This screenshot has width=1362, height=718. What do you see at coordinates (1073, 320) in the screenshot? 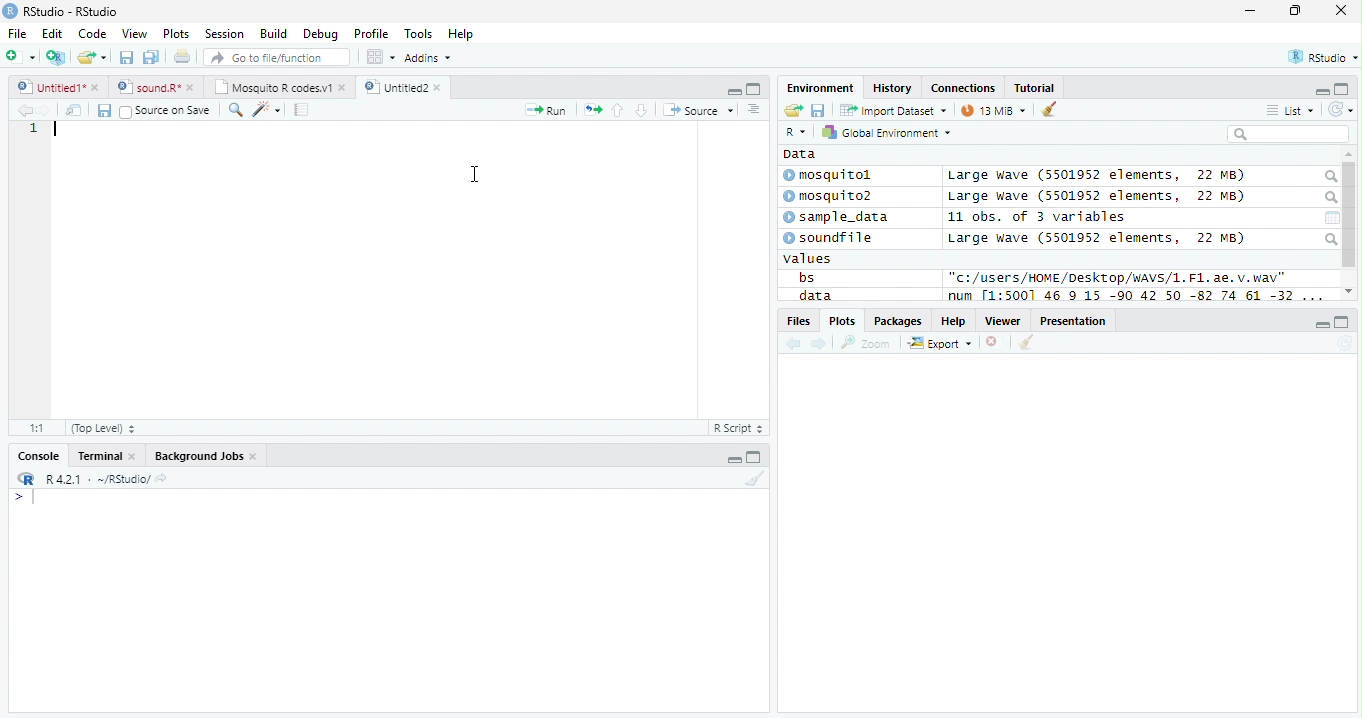
I see `Presentation` at bounding box center [1073, 320].